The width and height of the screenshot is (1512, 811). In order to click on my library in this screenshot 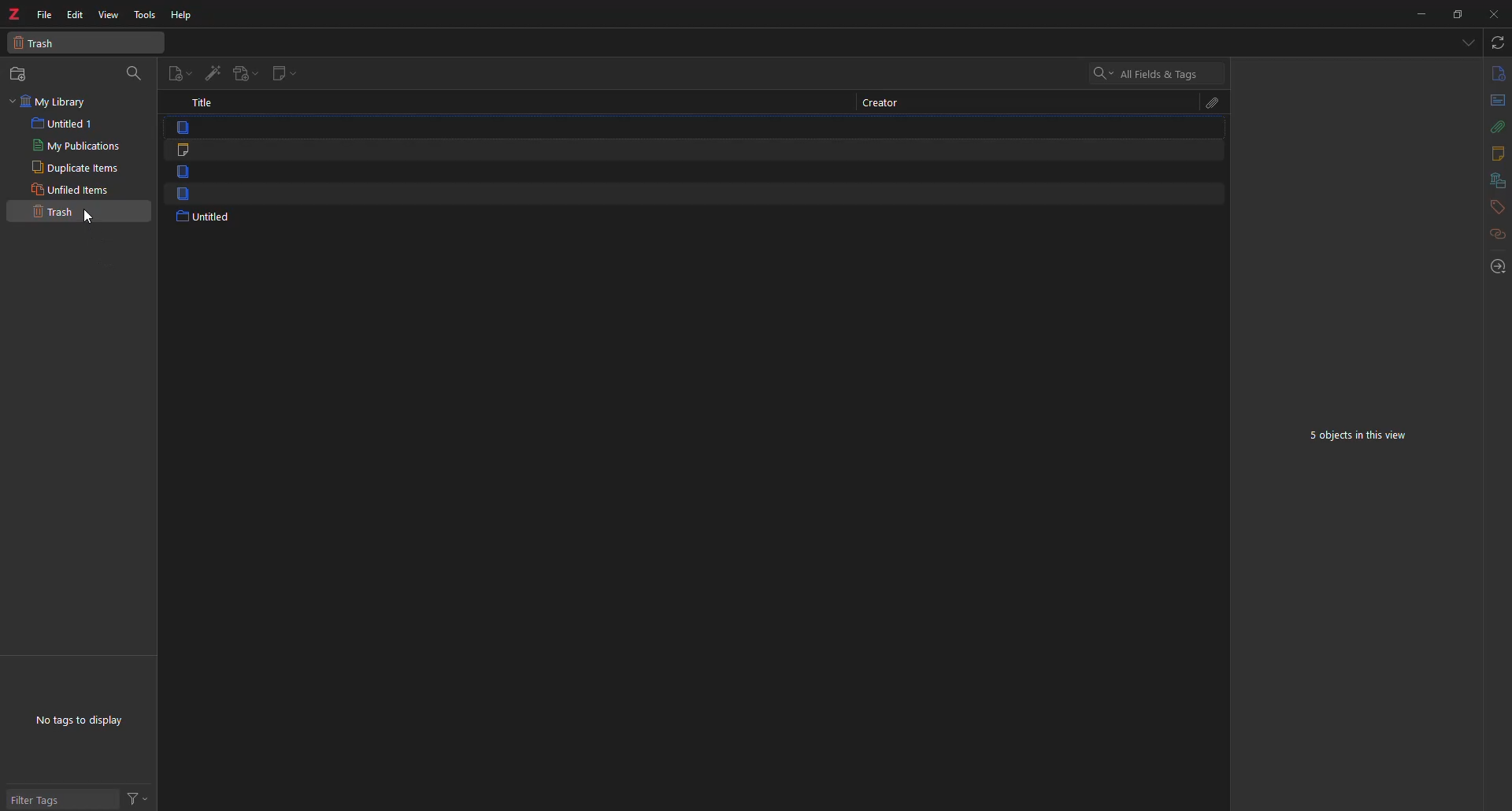, I will do `click(55, 102)`.